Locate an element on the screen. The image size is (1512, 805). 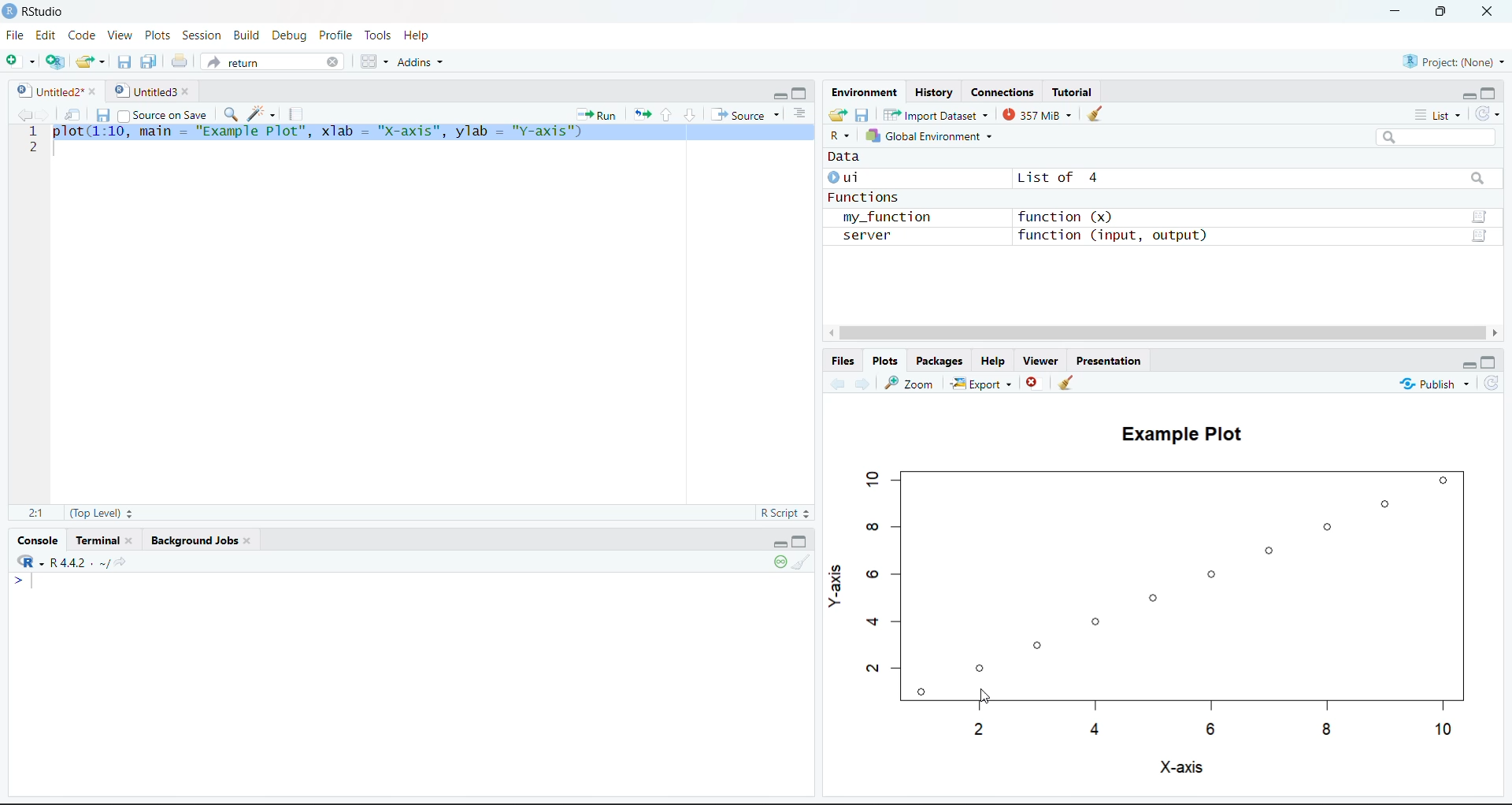
Source on Save is located at coordinates (163, 113).